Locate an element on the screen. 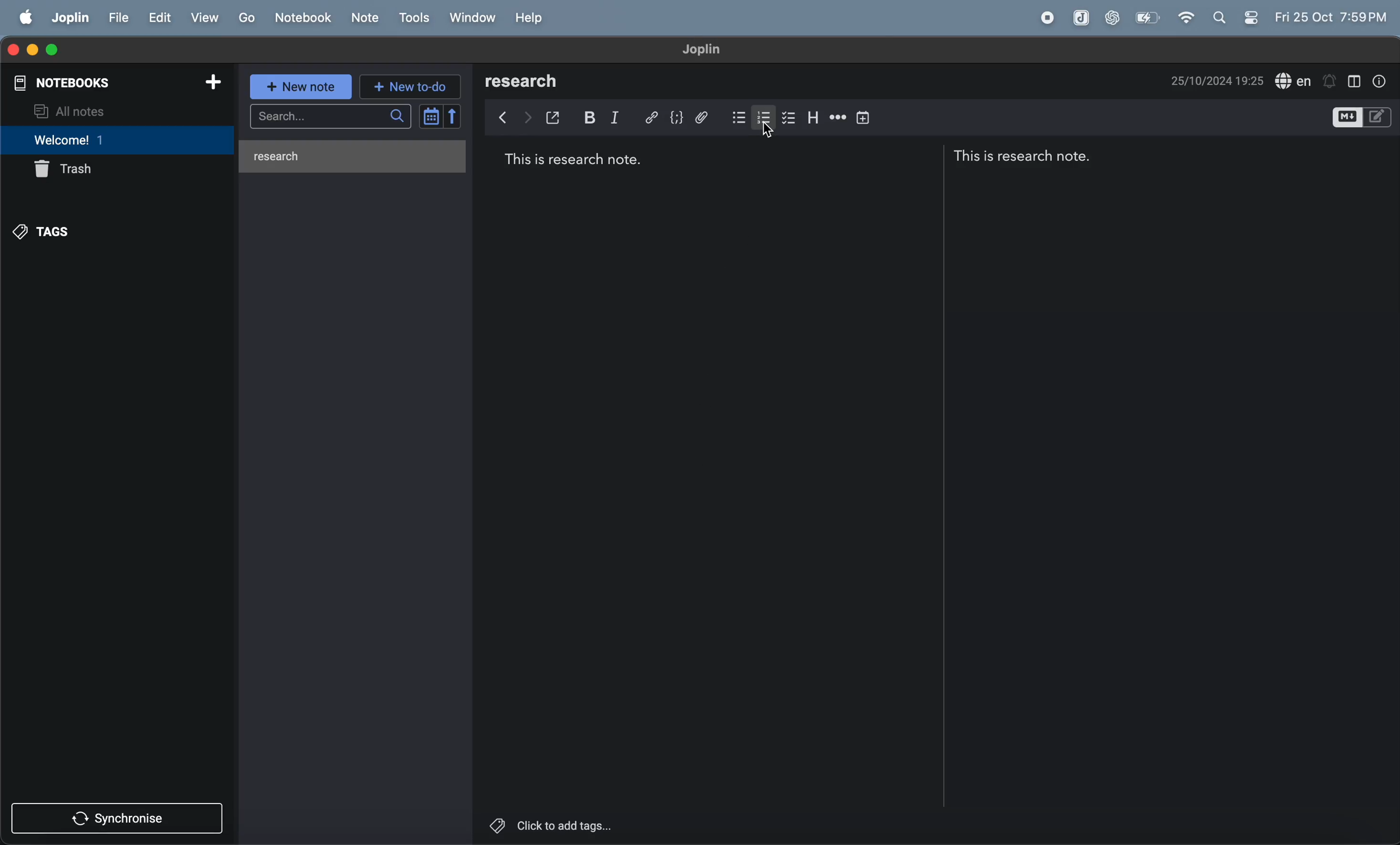  Dark theme Toggle  is located at coordinates (1251, 19).